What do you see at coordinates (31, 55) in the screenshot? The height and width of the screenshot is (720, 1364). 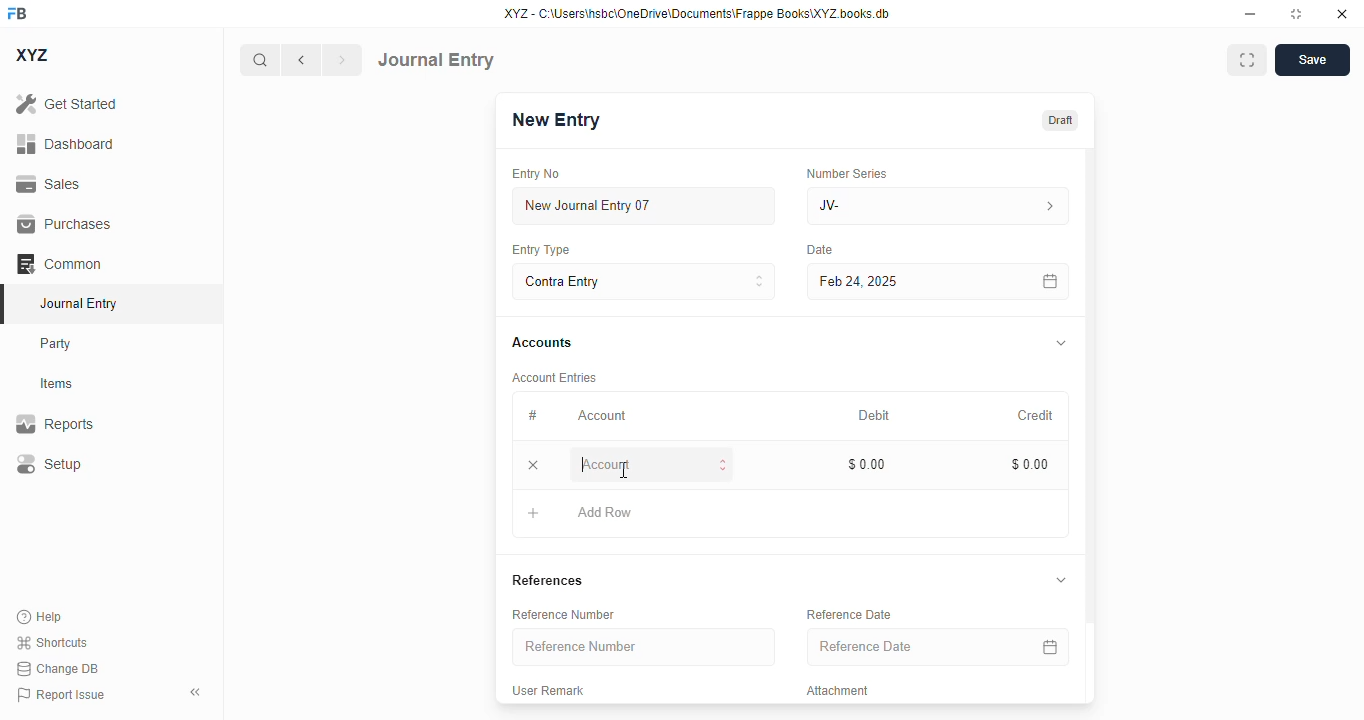 I see `XYZ` at bounding box center [31, 55].